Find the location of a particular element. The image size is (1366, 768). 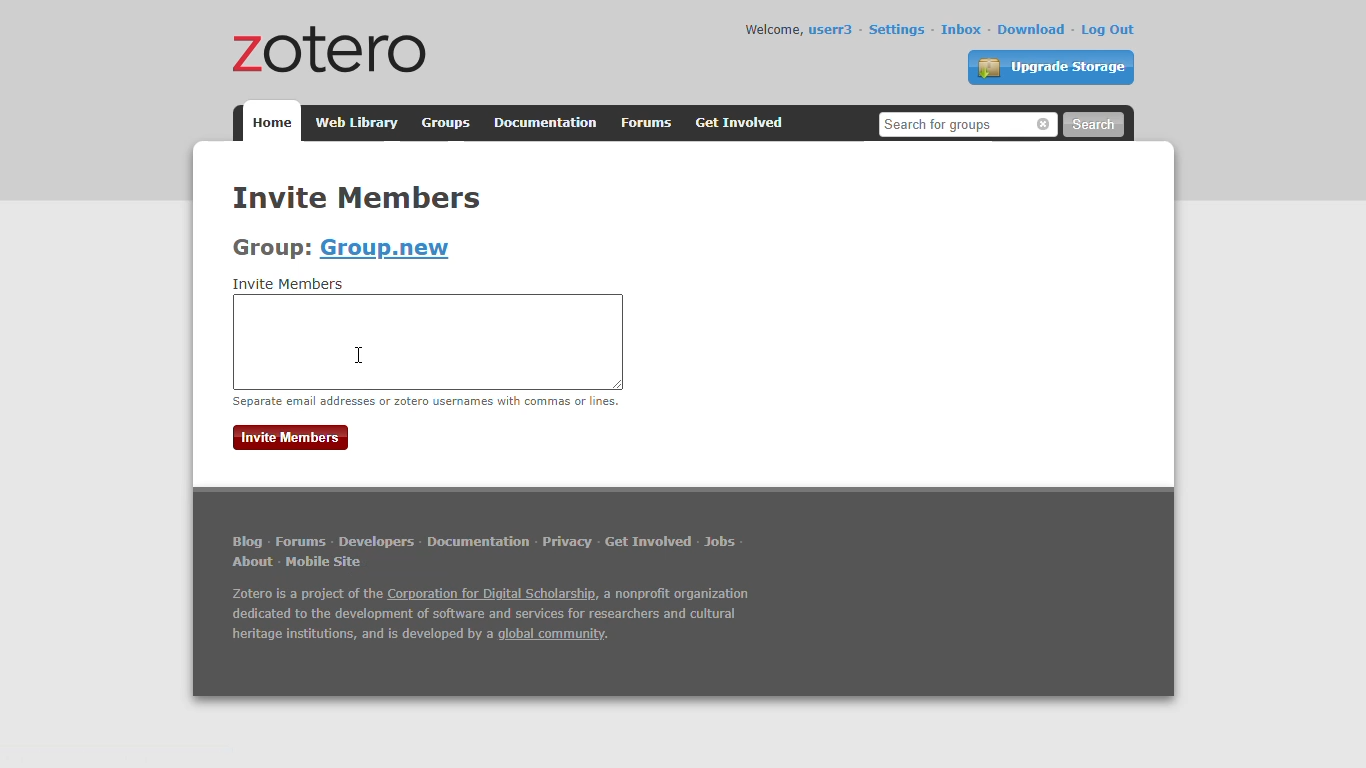

mobile site is located at coordinates (326, 562).